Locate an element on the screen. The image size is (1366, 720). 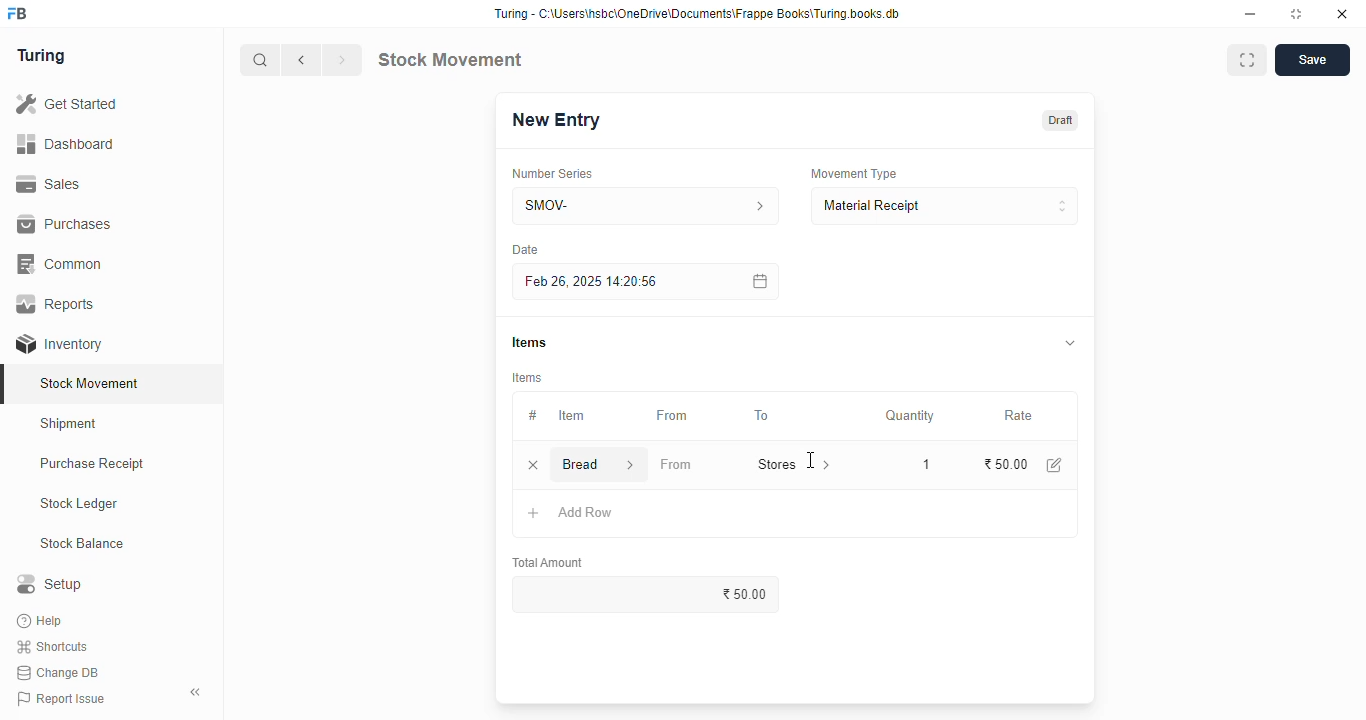
sales is located at coordinates (48, 184).